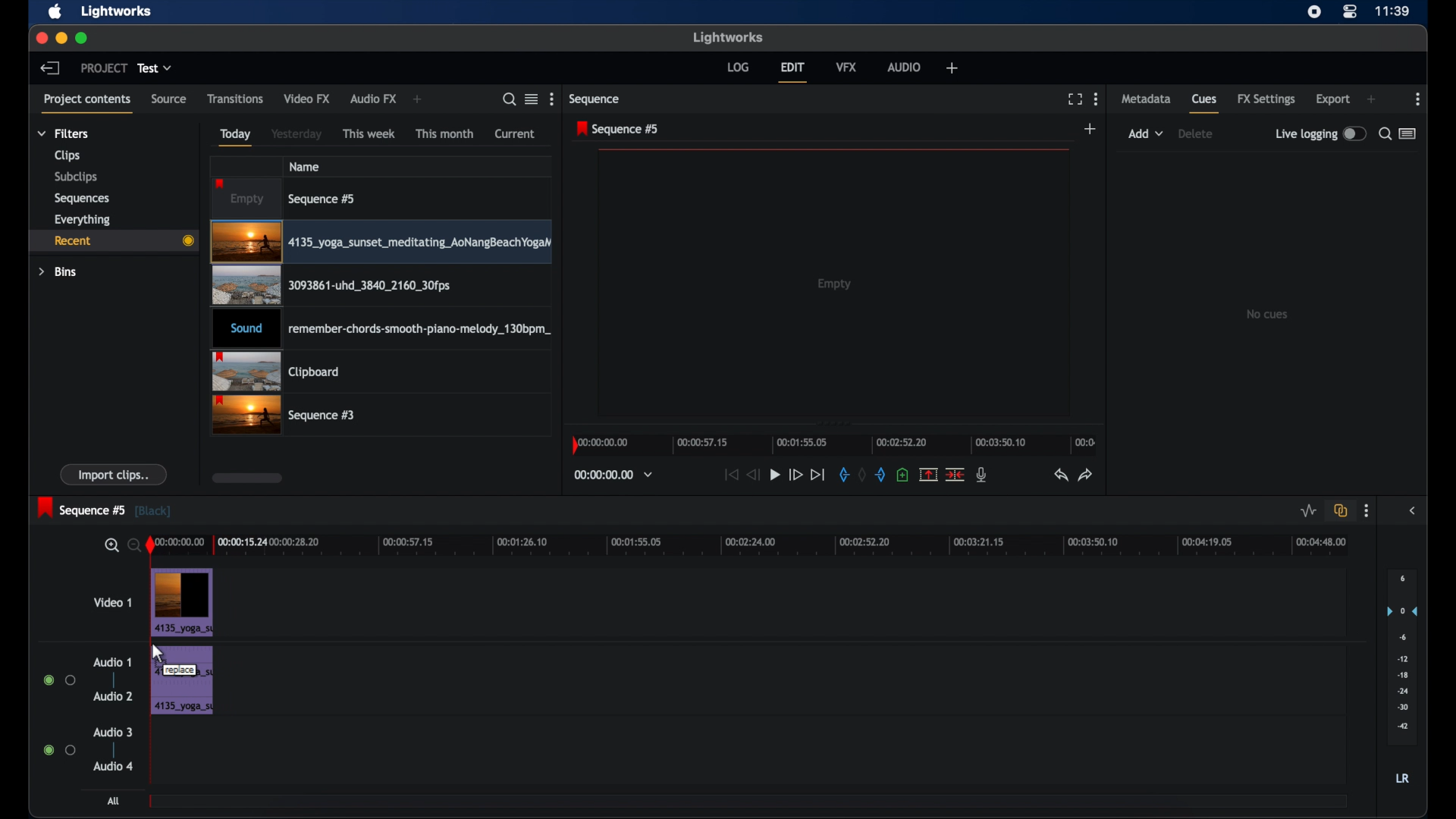 The image size is (1456, 819). I want to click on LR, so click(1402, 778).